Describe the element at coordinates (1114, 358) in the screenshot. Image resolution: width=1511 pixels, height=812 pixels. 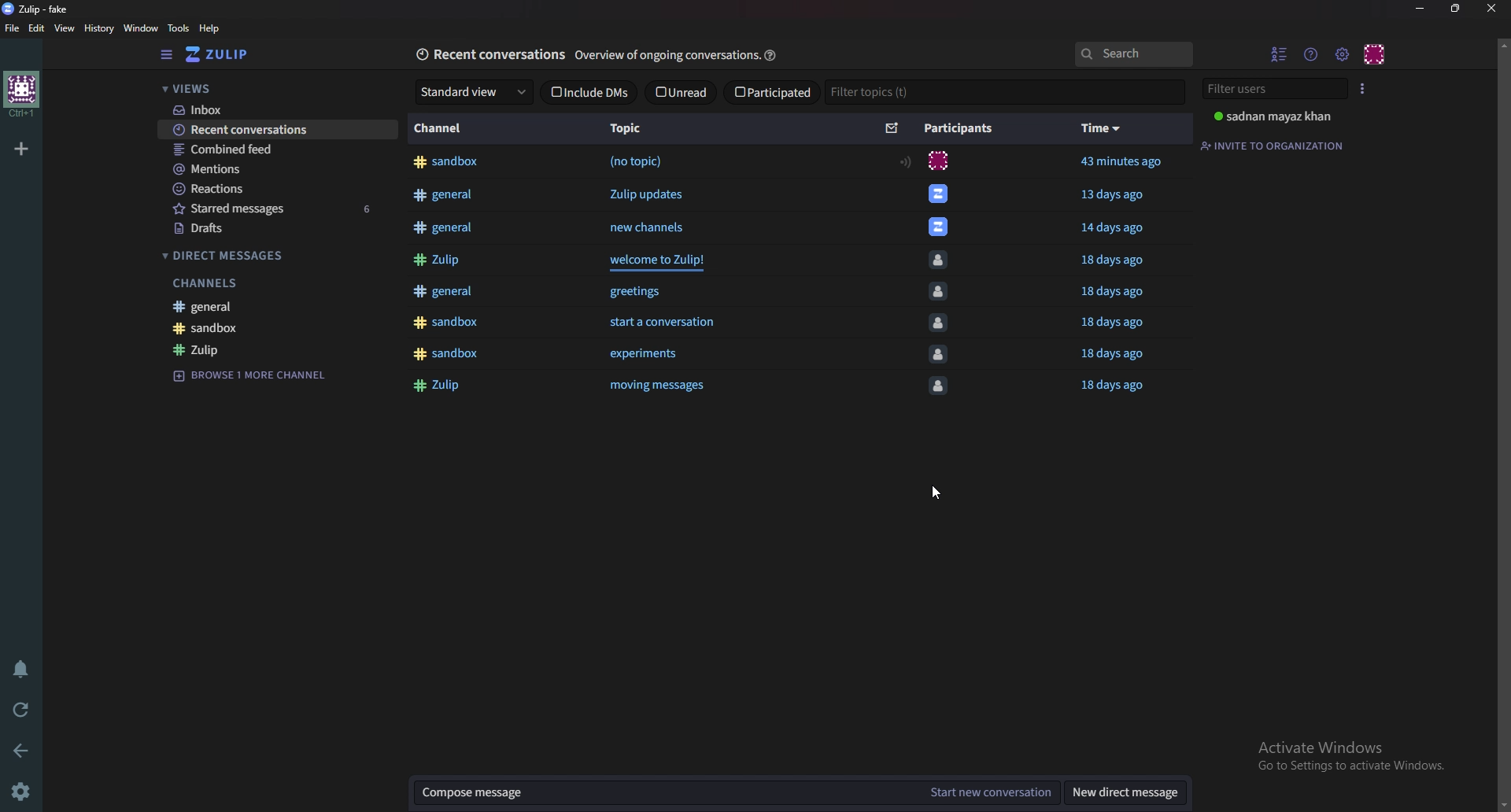
I see `18 days ago` at that location.